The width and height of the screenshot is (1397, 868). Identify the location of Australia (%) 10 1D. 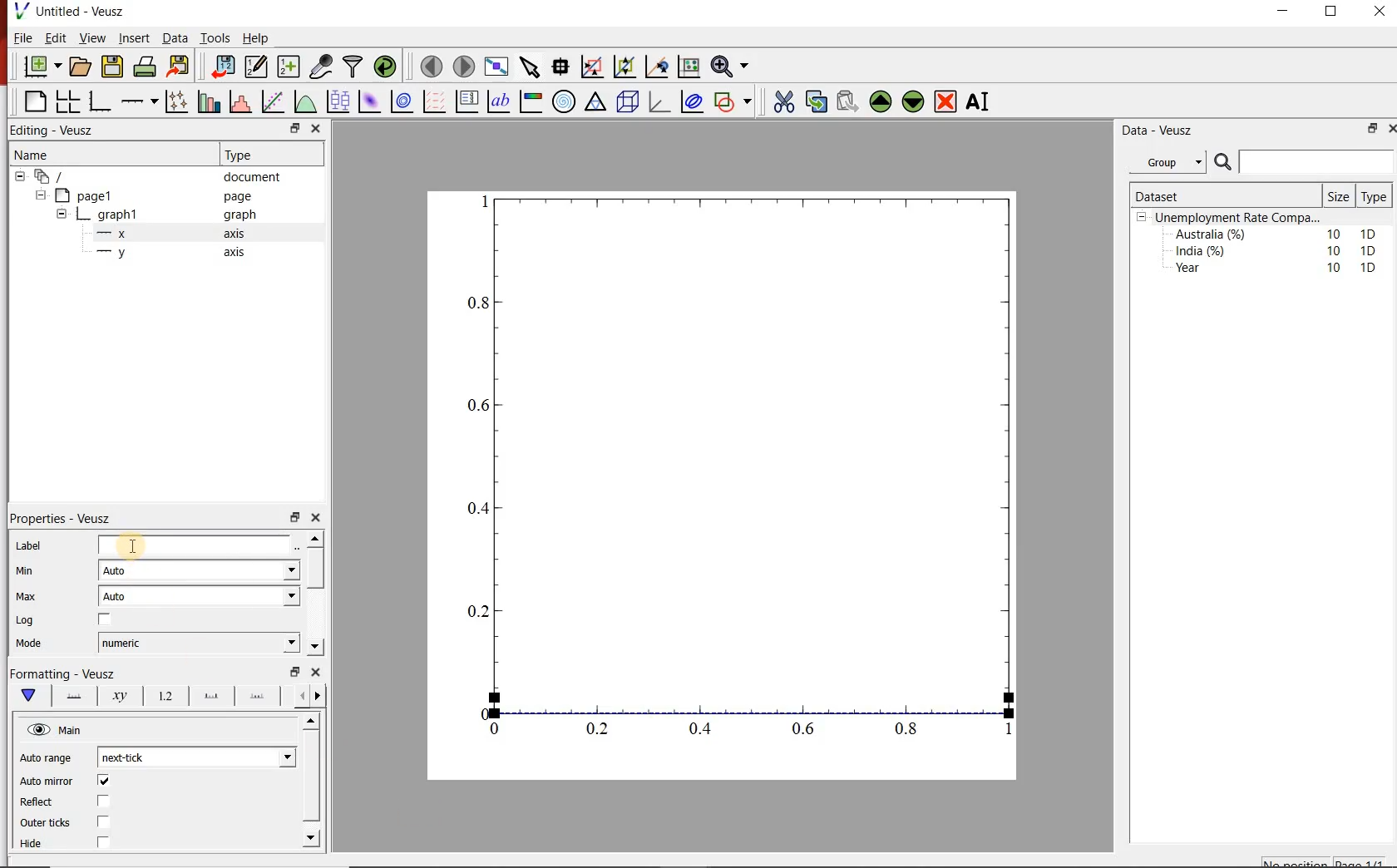
(1277, 234).